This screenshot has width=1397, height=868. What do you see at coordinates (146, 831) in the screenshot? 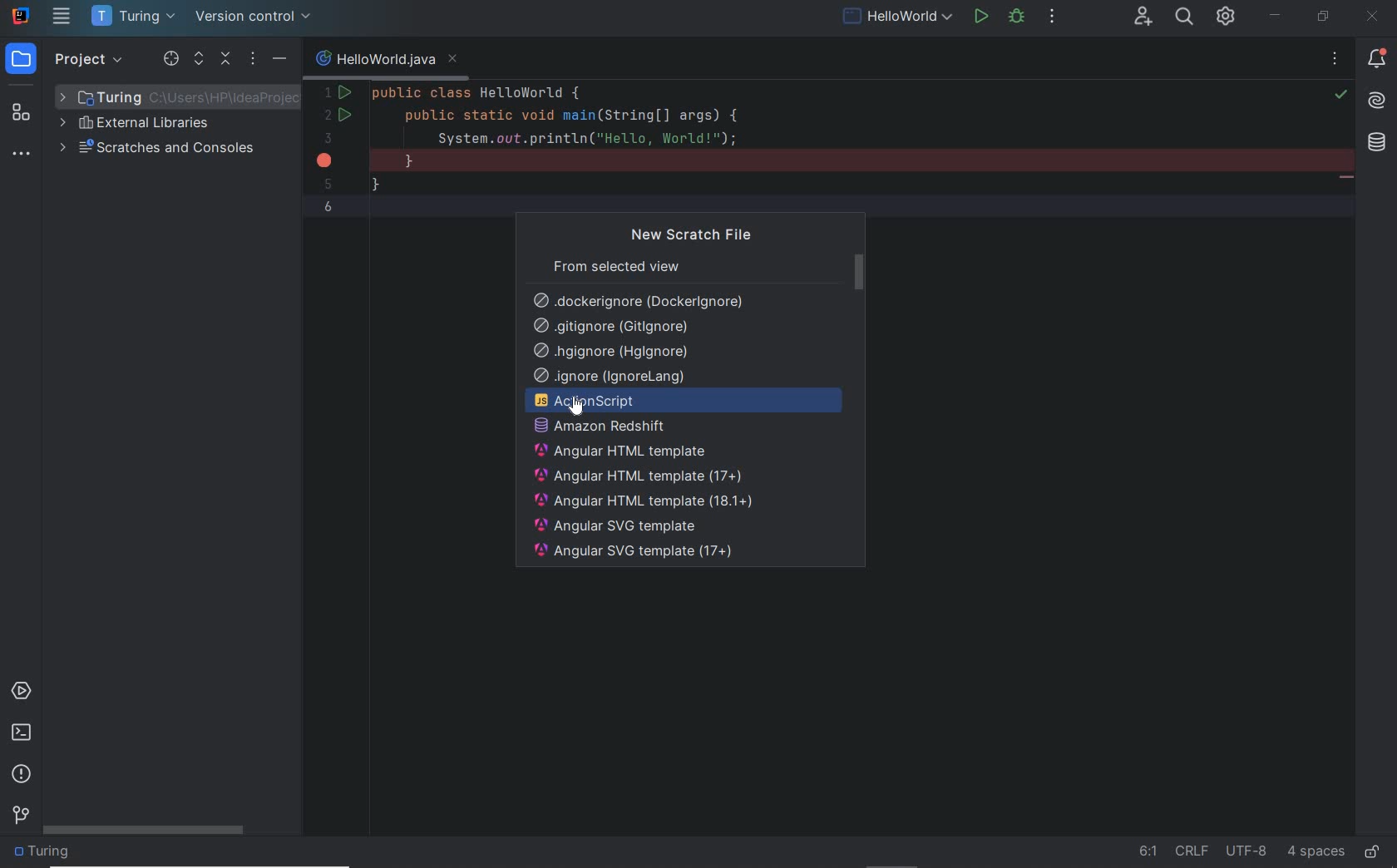
I see `scrollbar` at bounding box center [146, 831].